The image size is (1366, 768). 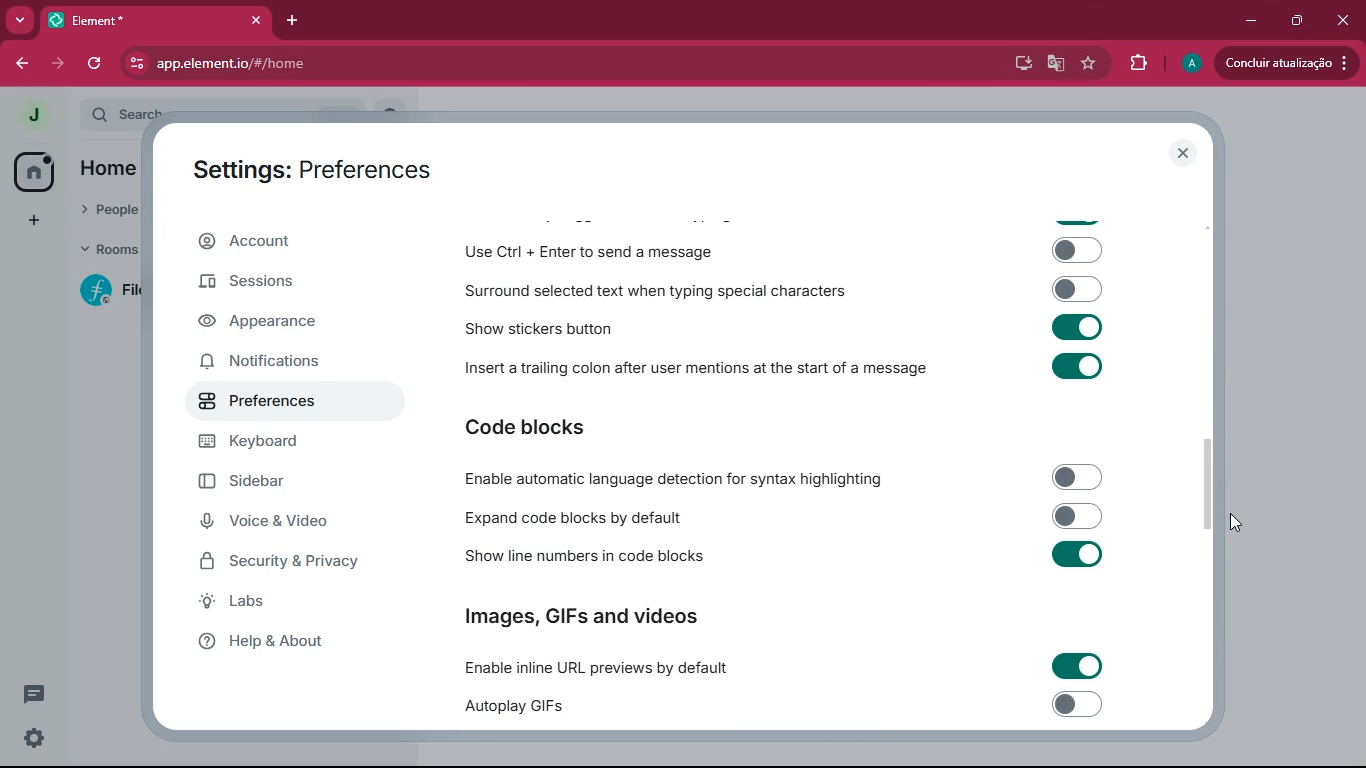 What do you see at coordinates (281, 282) in the screenshot?
I see `sessions` at bounding box center [281, 282].